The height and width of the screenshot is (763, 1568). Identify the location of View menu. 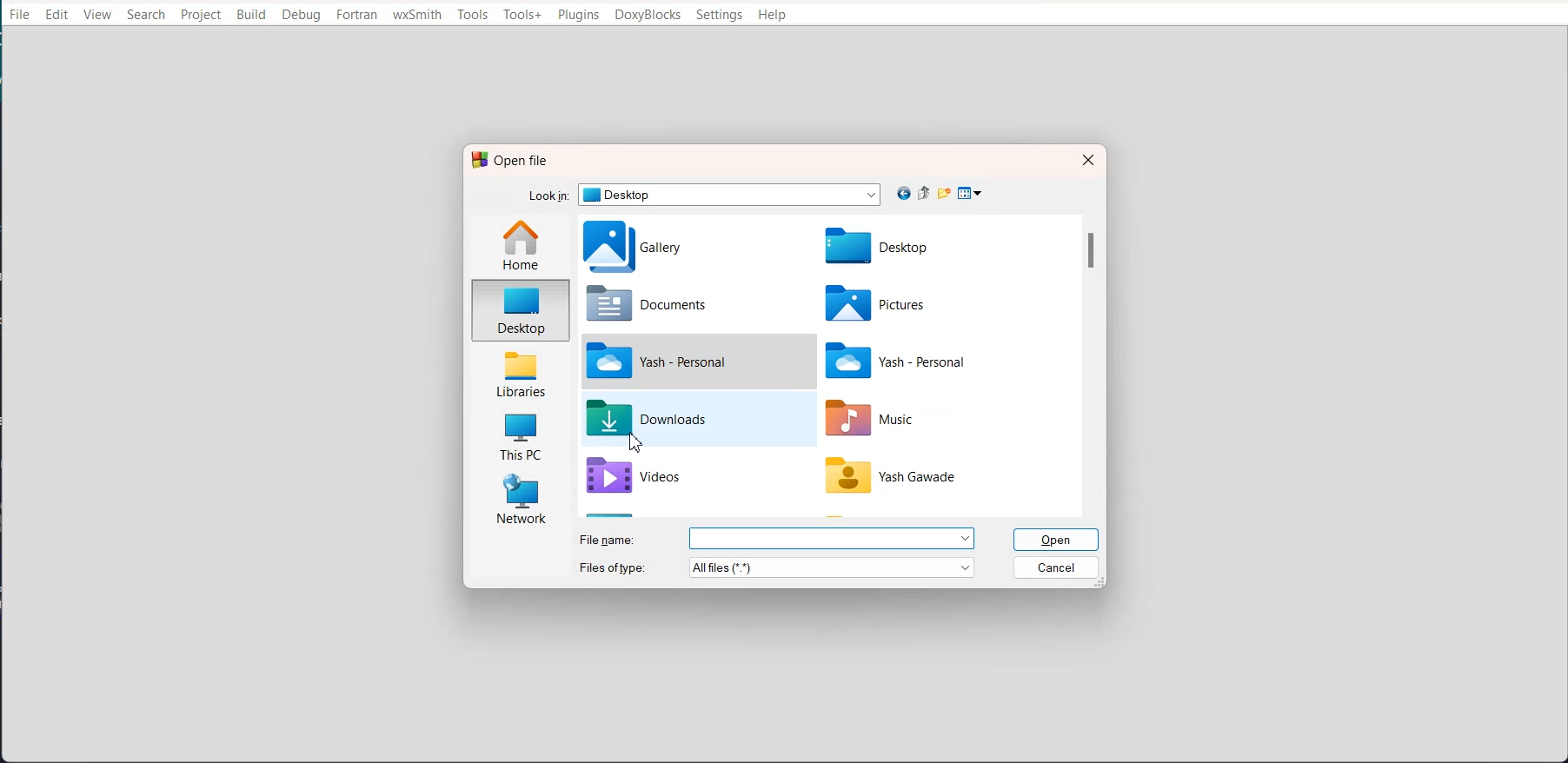
(971, 194).